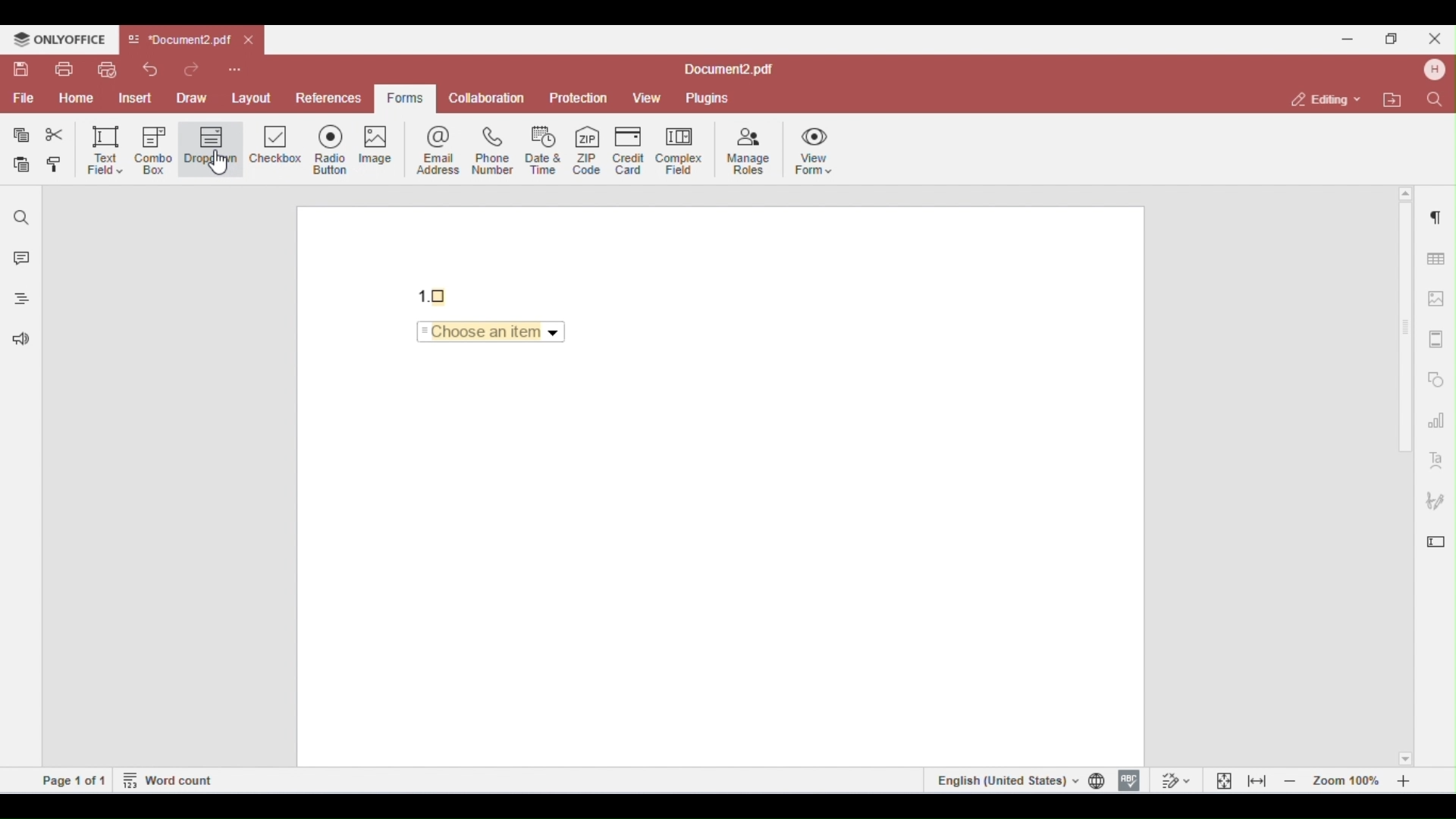  I want to click on manage roles, so click(749, 152).